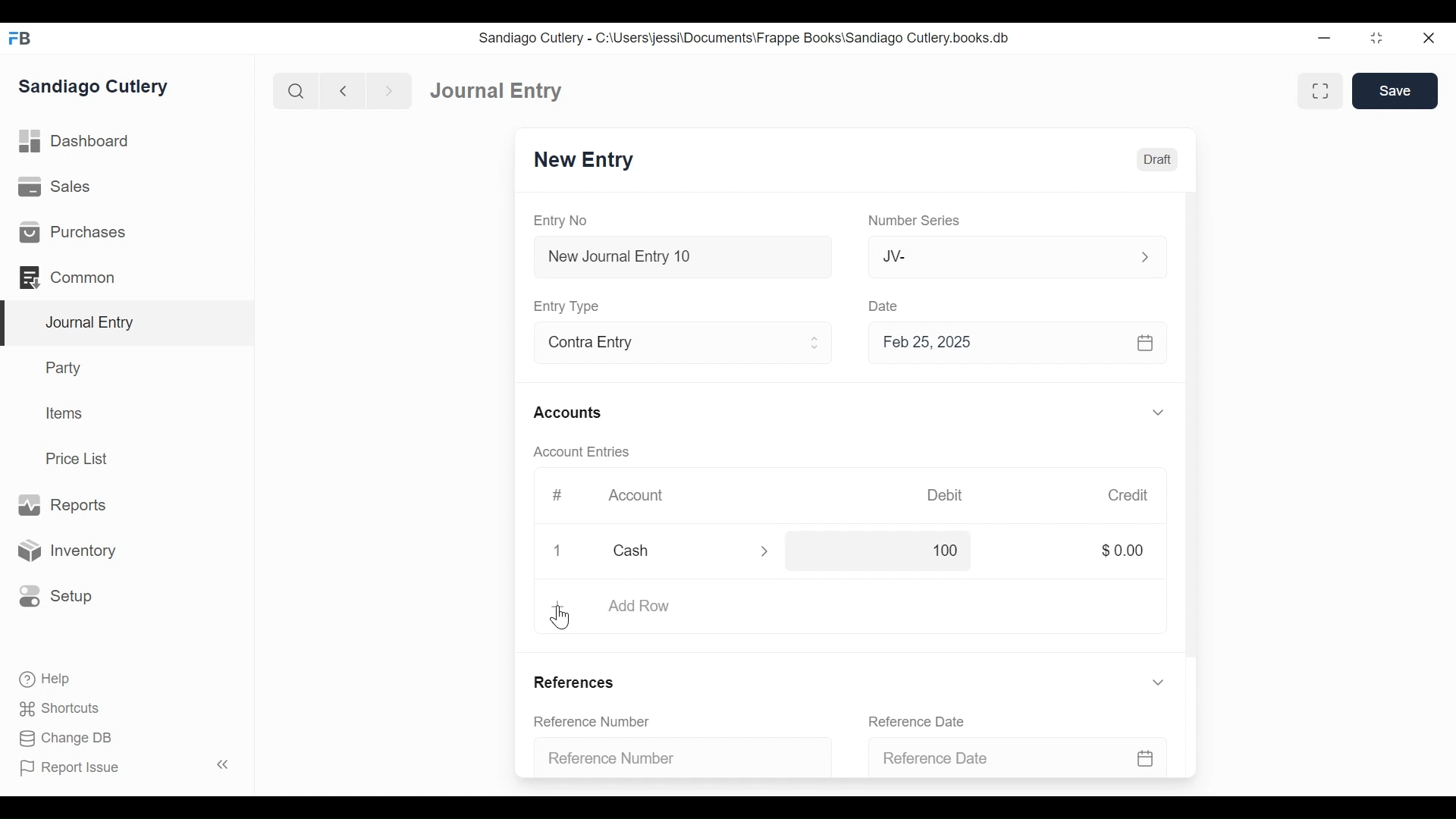 The image size is (1456, 819). What do you see at coordinates (557, 605) in the screenshot?
I see `+` at bounding box center [557, 605].